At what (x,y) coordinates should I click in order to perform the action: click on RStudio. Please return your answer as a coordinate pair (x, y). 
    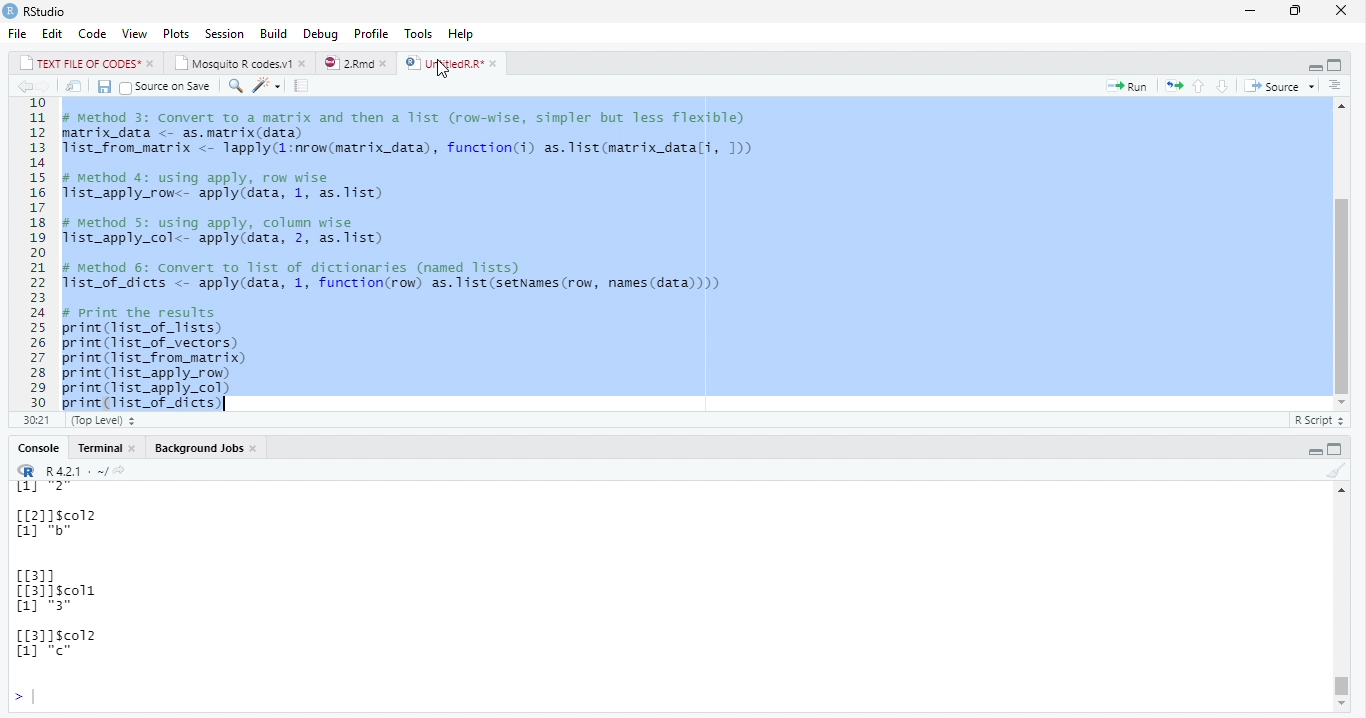
    Looking at the image, I should click on (36, 11).